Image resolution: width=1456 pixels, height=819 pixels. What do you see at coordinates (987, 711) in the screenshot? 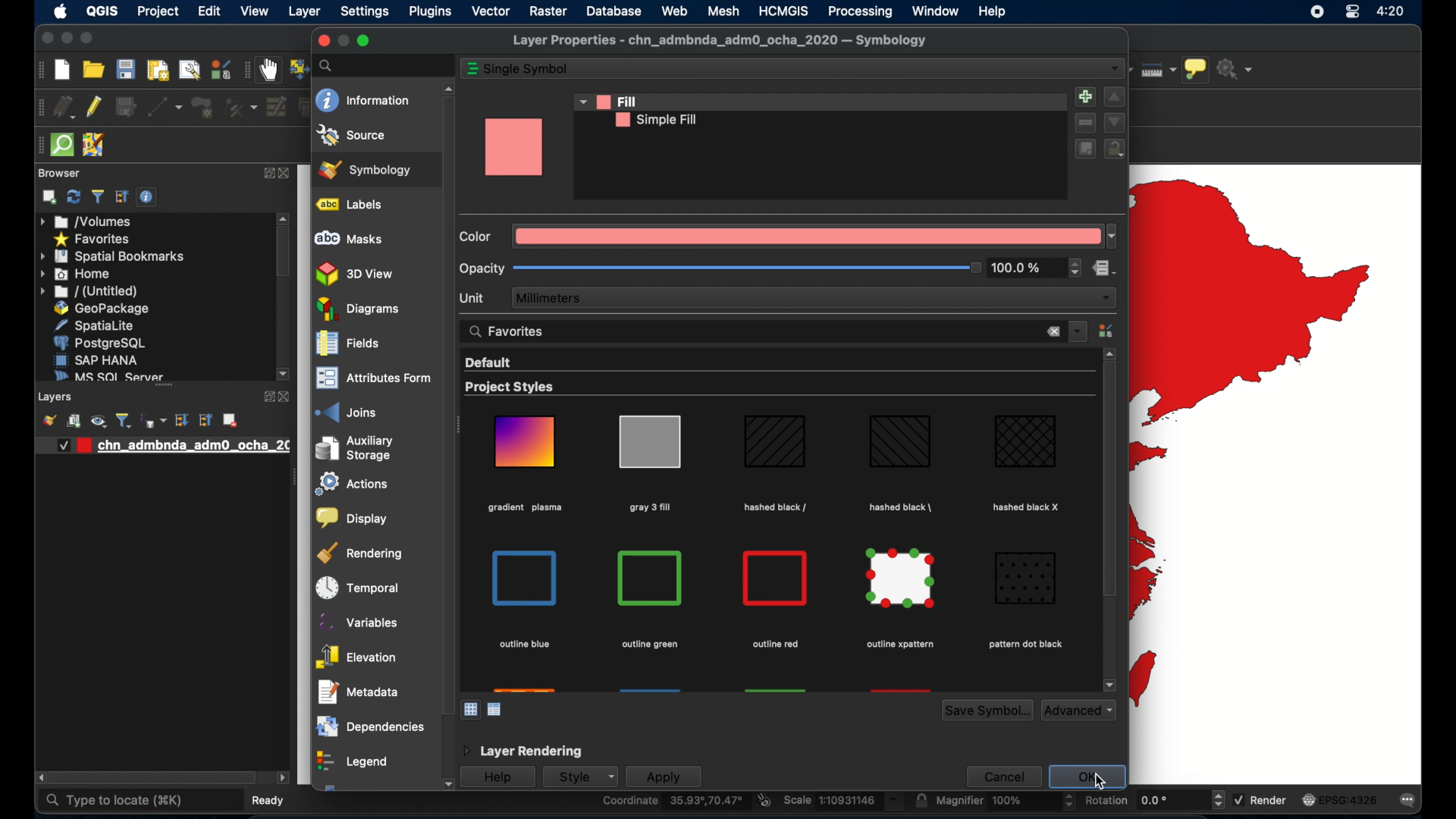
I see `save symbol` at bounding box center [987, 711].